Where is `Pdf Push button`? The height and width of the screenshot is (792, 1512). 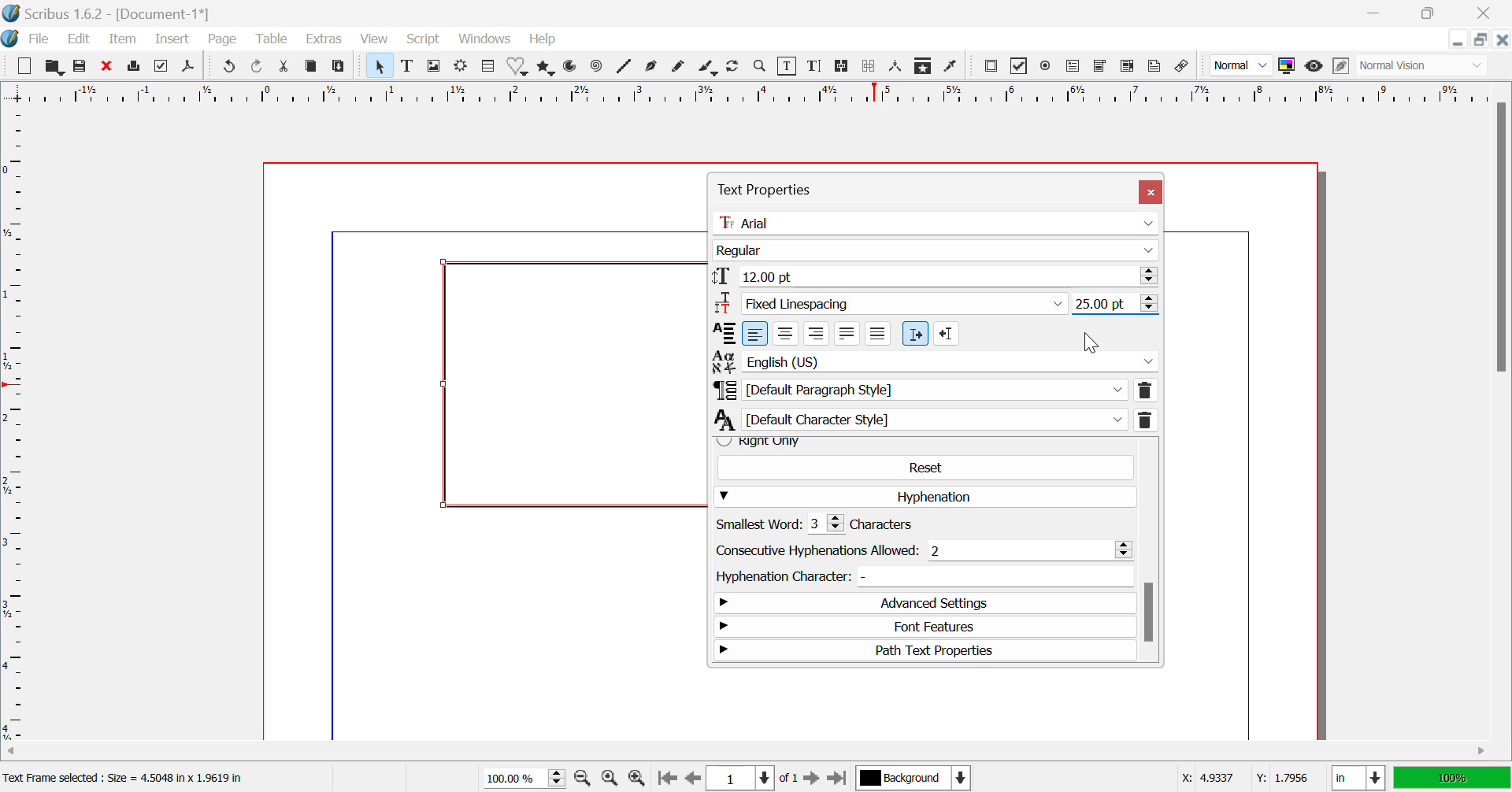
Pdf Push button is located at coordinates (991, 68).